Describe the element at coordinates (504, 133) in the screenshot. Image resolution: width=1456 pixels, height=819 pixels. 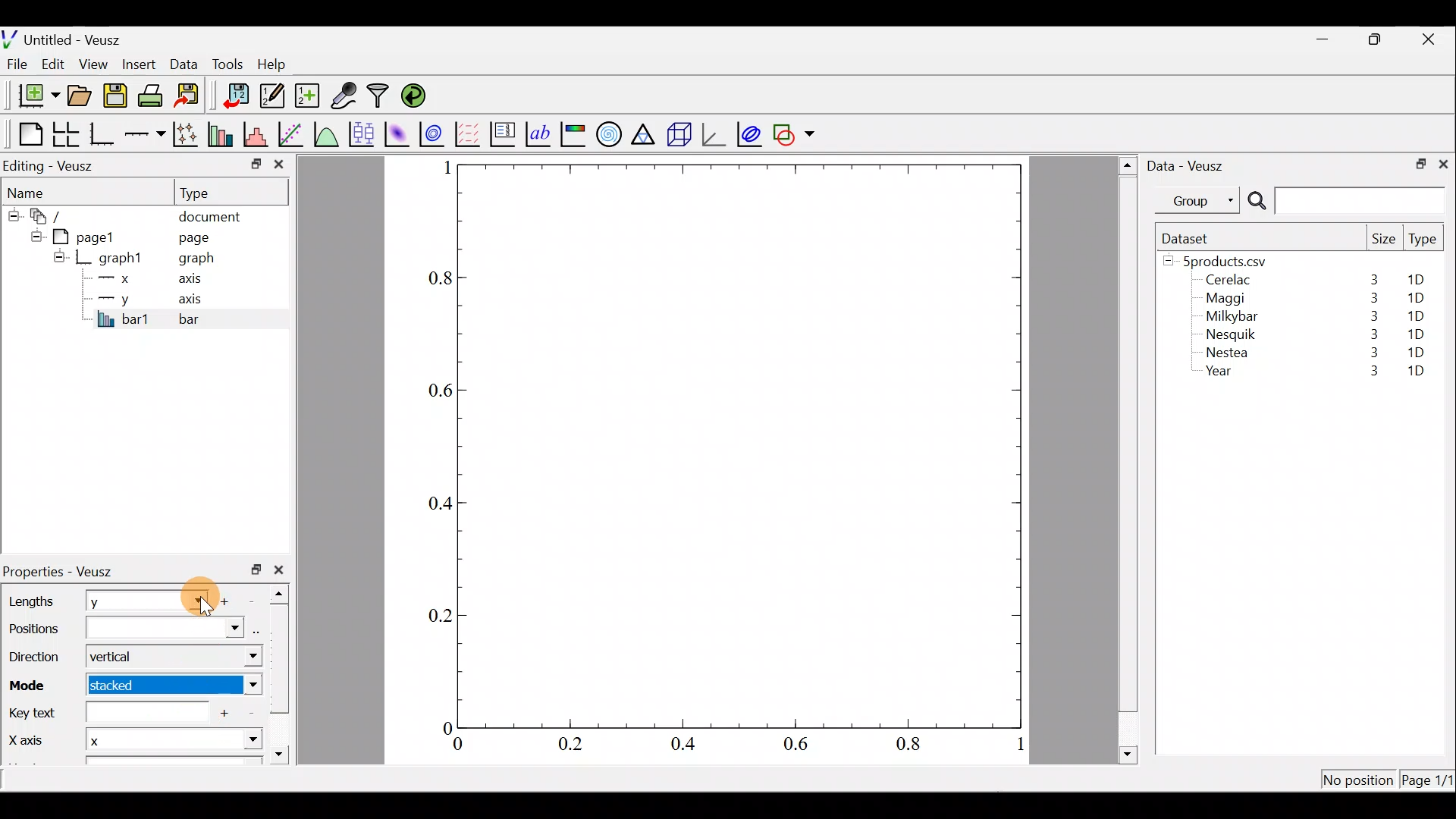
I see `Plot key` at that location.